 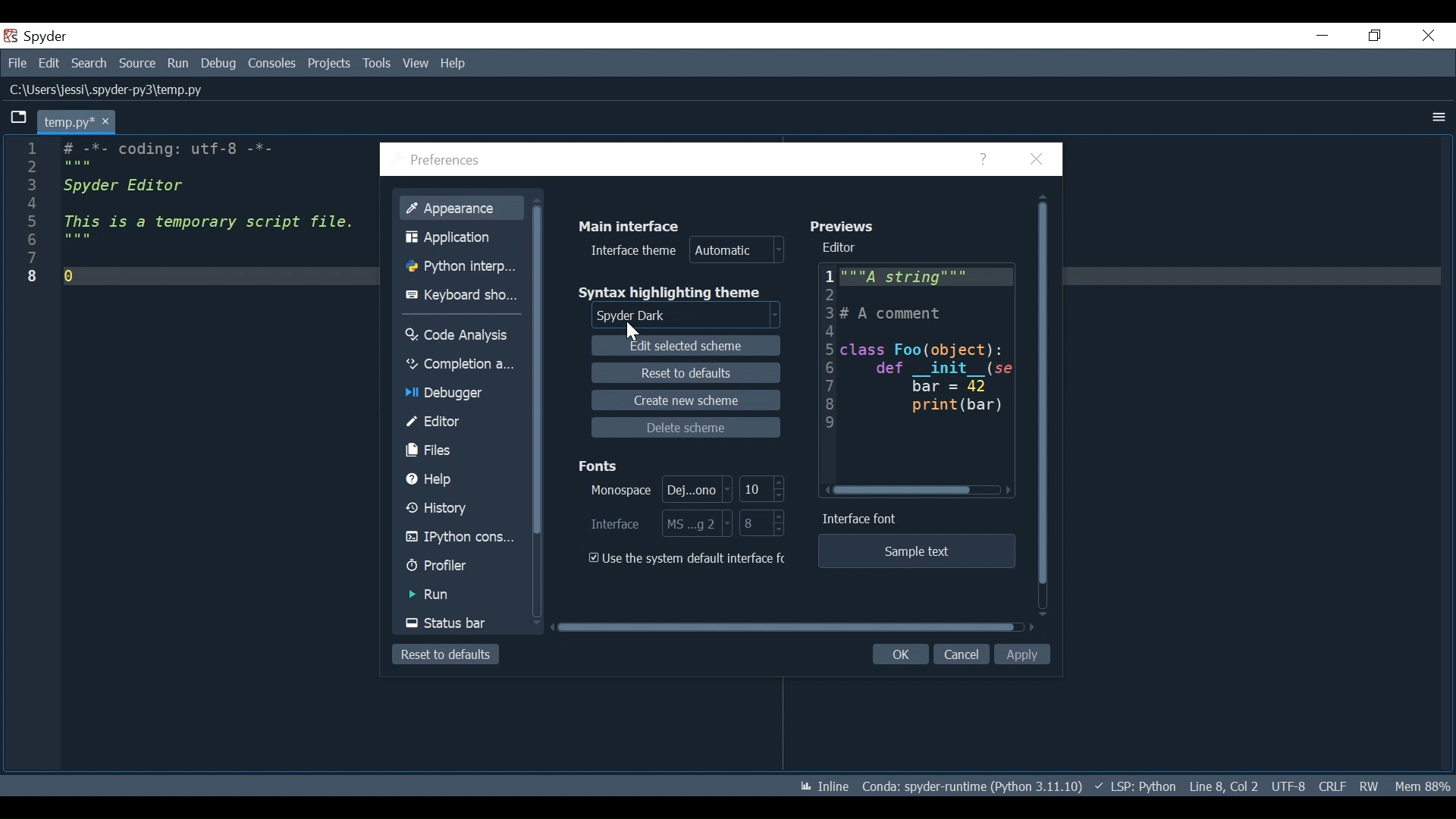 I want to click on Preferences, so click(x=444, y=160).